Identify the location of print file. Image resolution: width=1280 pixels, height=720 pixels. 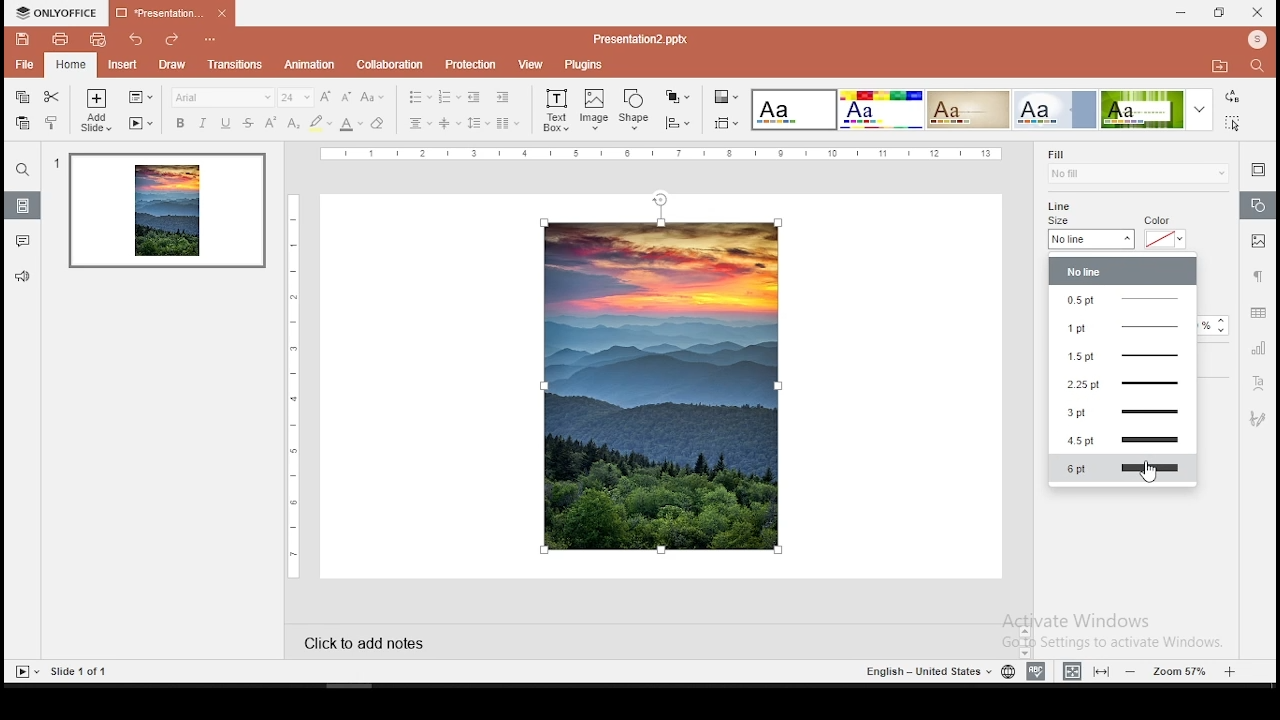
(54, 39).